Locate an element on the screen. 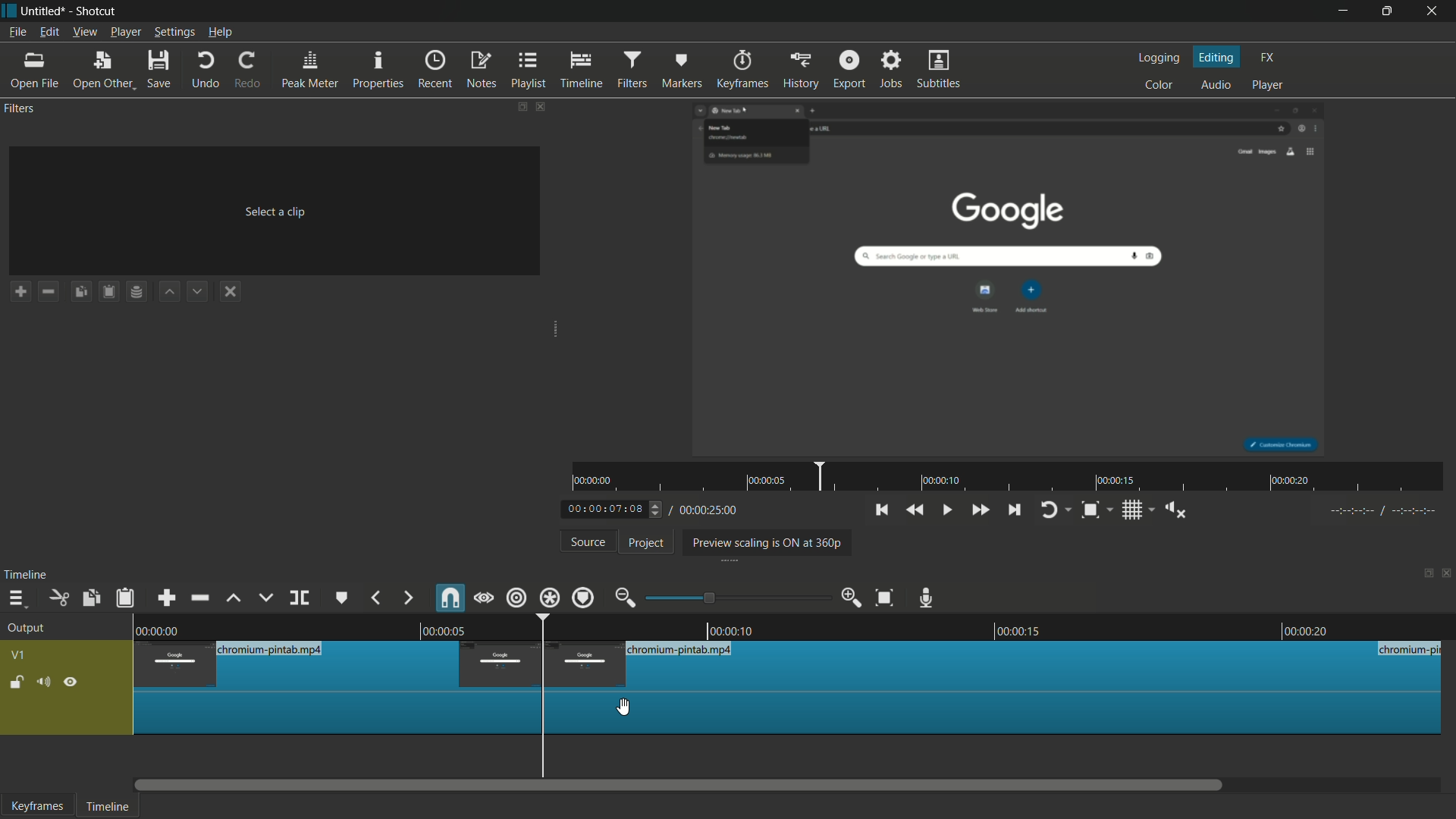  remove a filter is located at coordinates (47, 291).